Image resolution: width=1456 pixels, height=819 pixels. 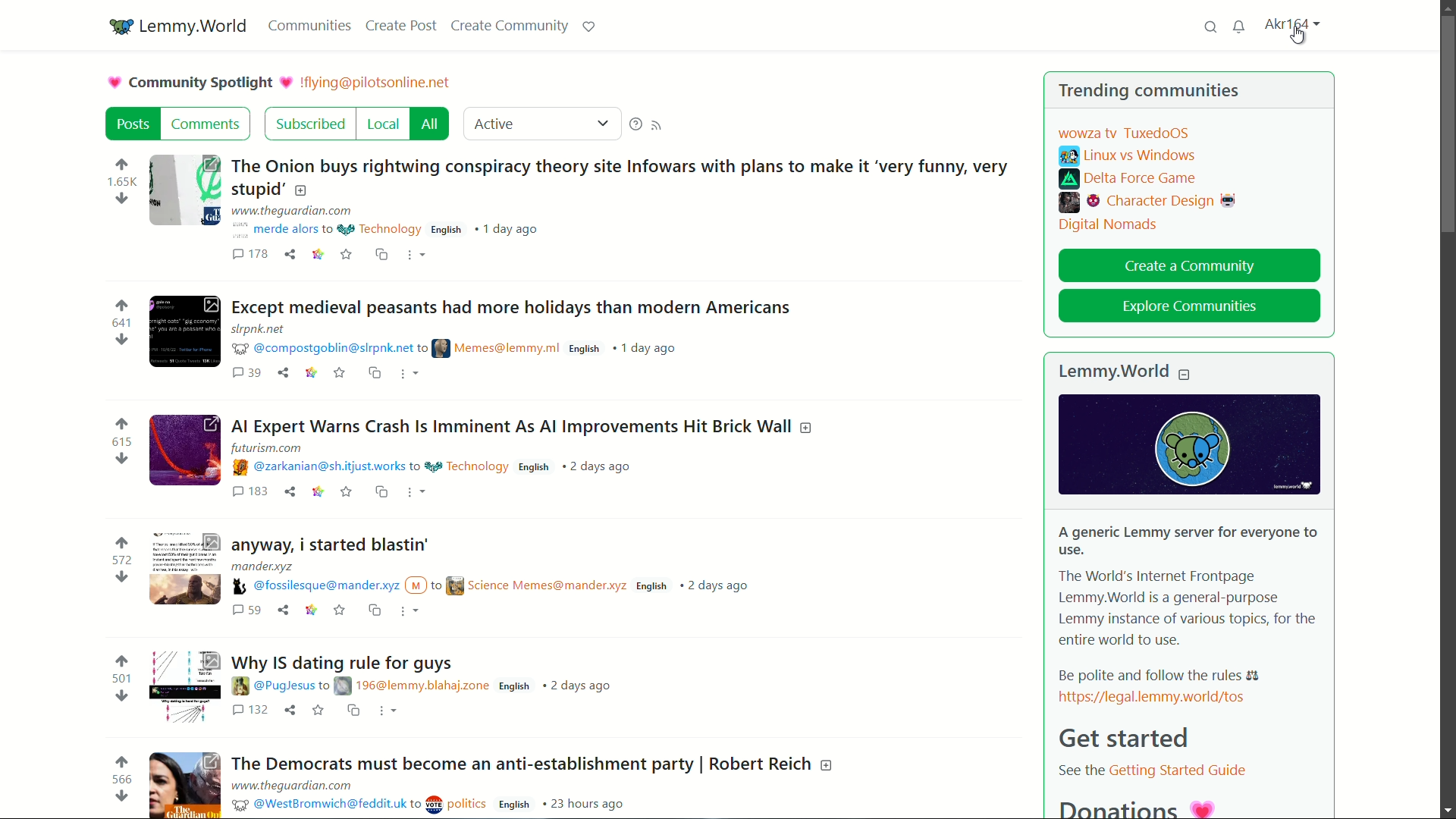 What do you see at coordinates (1240, 27) in the screenshot?
I see `unread messages` at bounding box center [1240, 27].